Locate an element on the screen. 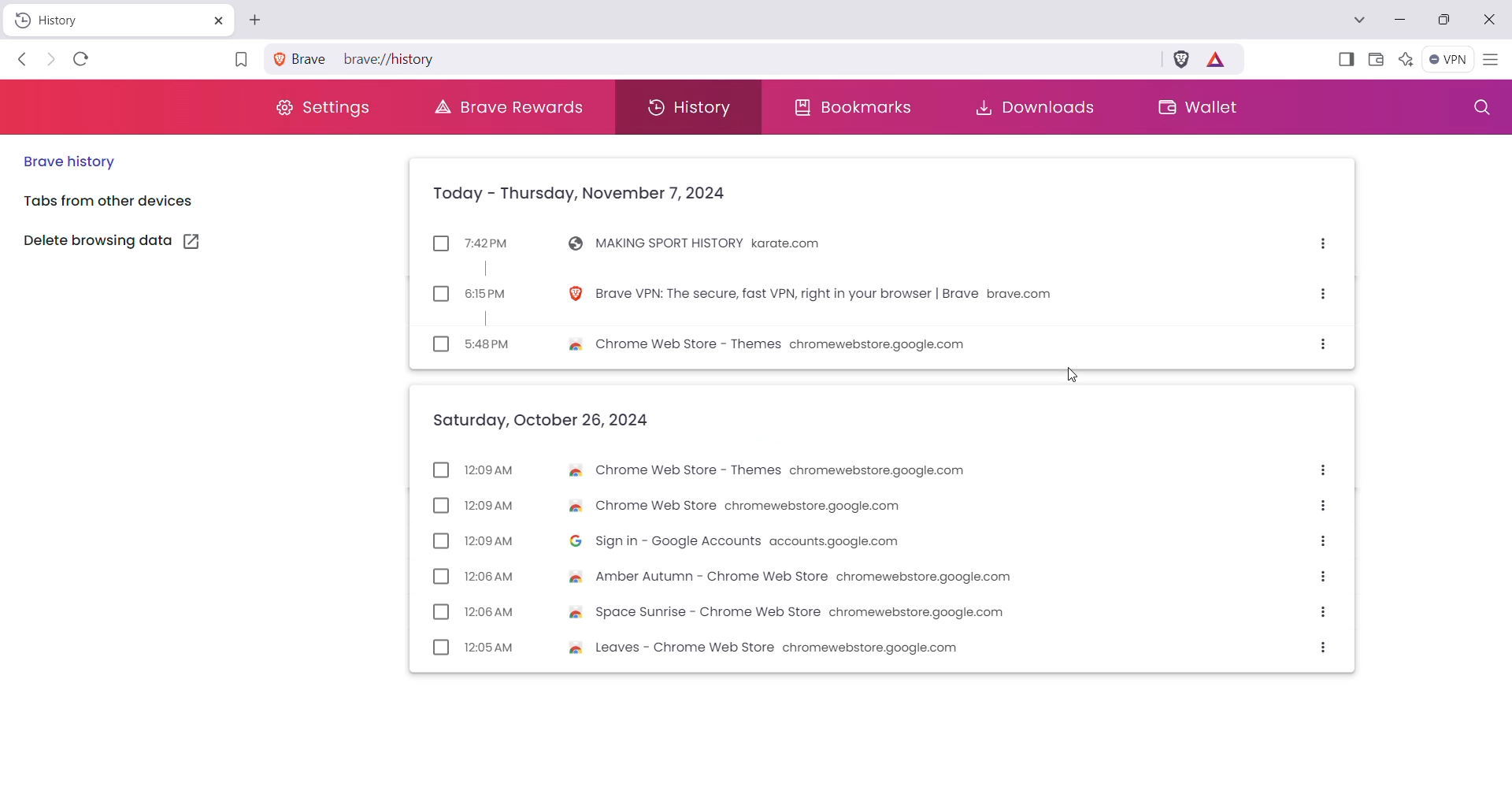  History is located at coordinates (102, 20).